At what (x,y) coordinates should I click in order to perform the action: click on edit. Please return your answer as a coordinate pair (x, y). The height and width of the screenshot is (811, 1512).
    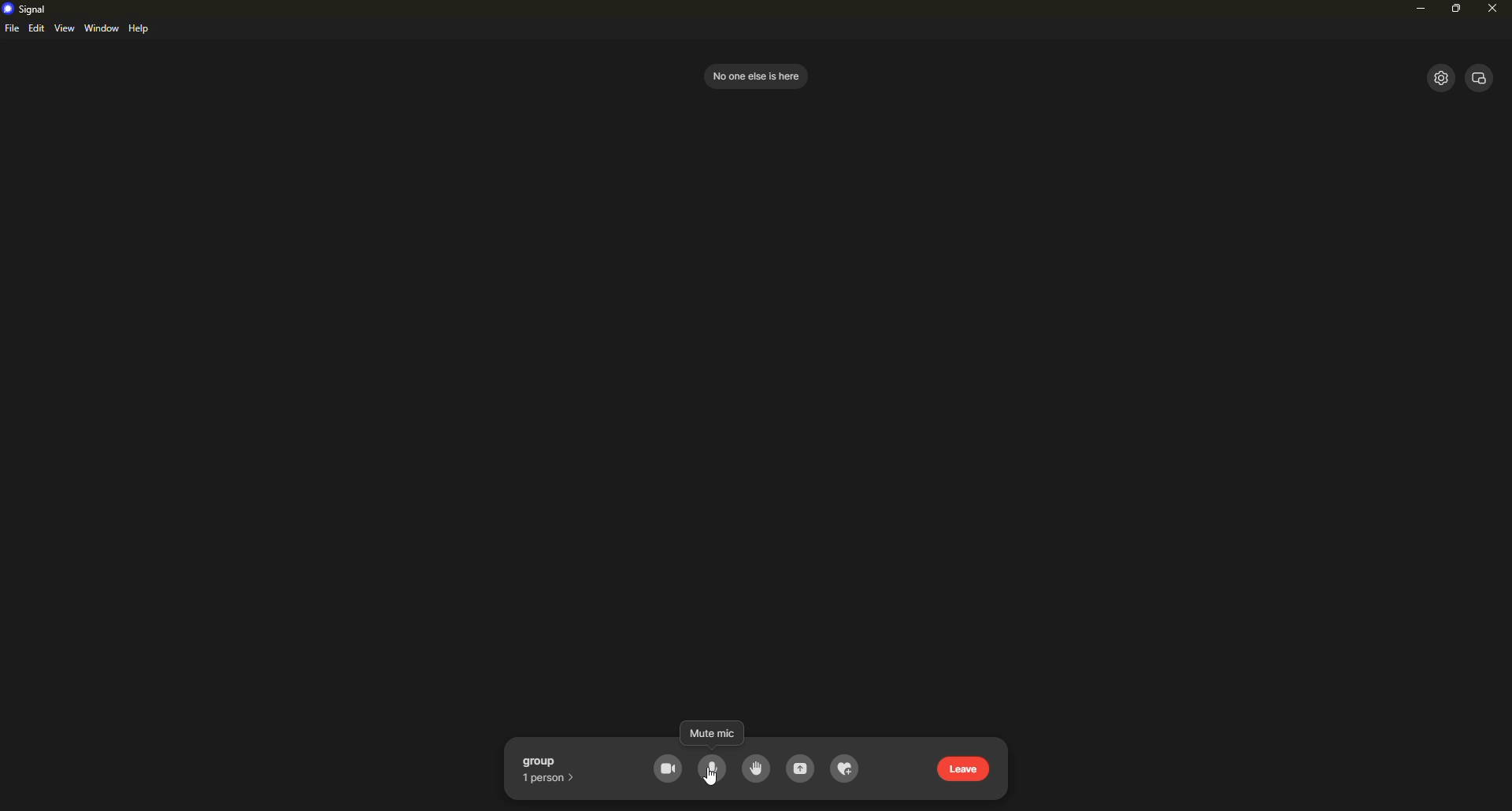
    Looking at the image, I should click on (36, 29).